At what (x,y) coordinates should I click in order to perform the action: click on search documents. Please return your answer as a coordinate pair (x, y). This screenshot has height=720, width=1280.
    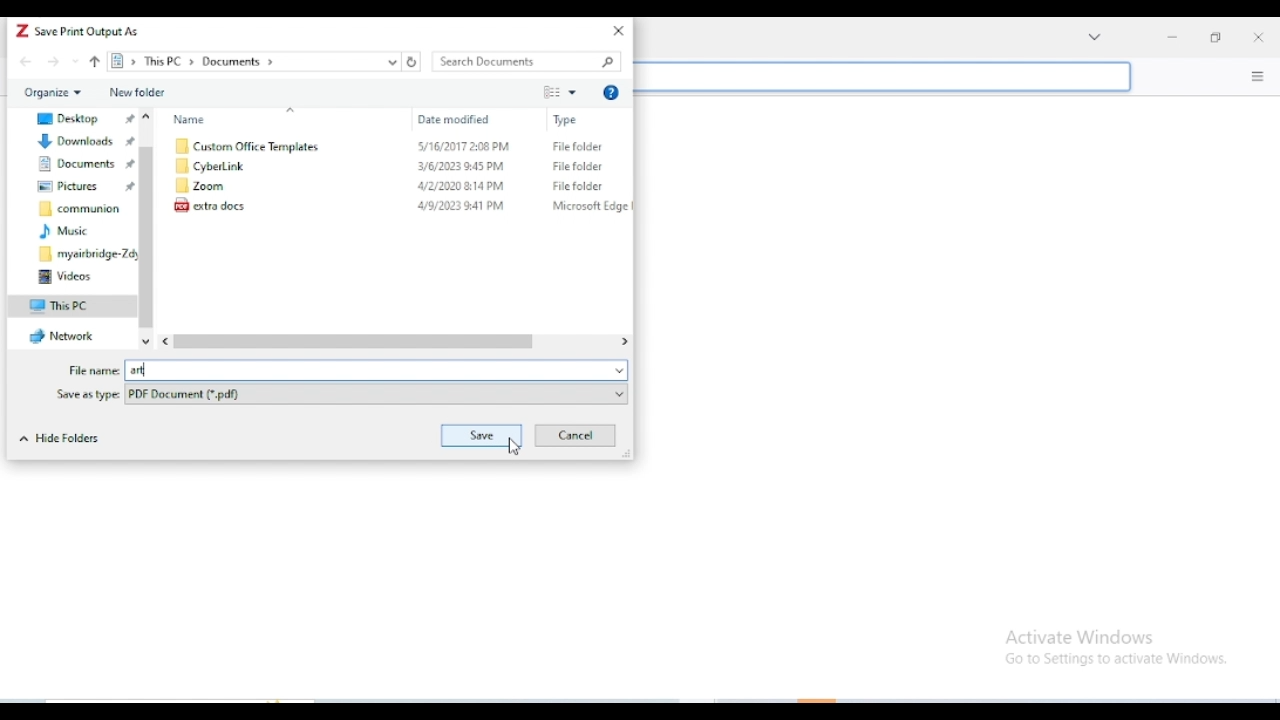
    Looking at the image, I should click on (526, 62).